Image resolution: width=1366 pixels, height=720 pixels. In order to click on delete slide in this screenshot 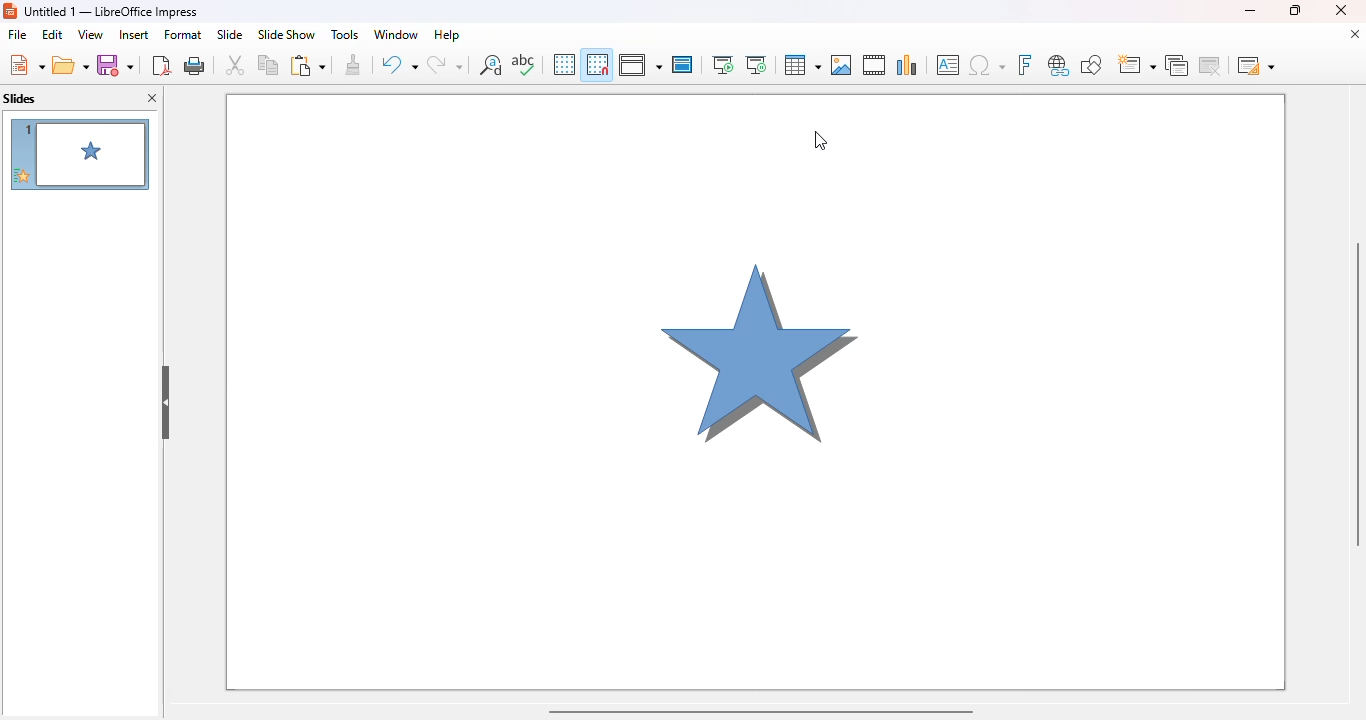, I will do `click(1211, 65)`.